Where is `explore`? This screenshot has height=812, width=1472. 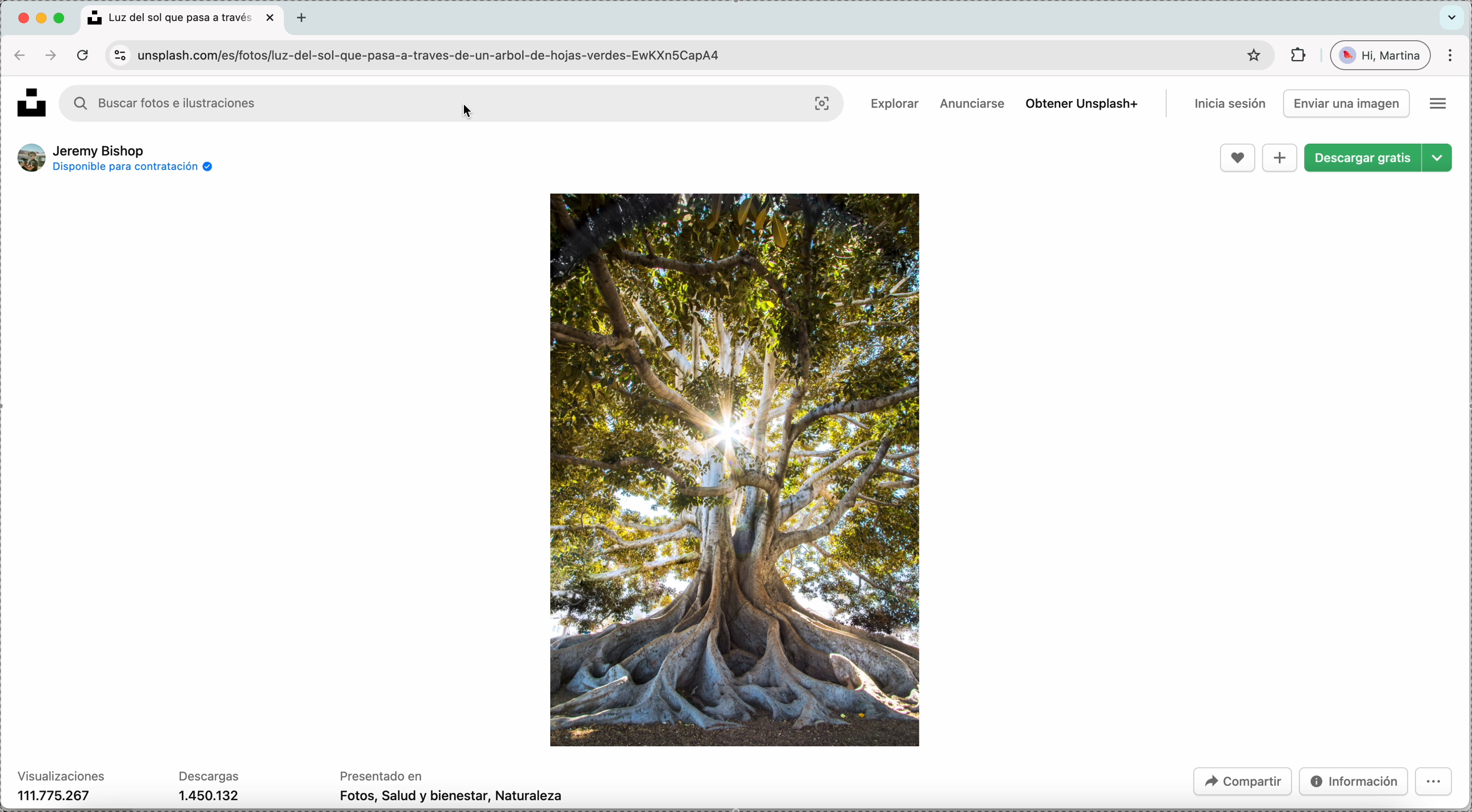 explore is located at coordinates (891, 105).